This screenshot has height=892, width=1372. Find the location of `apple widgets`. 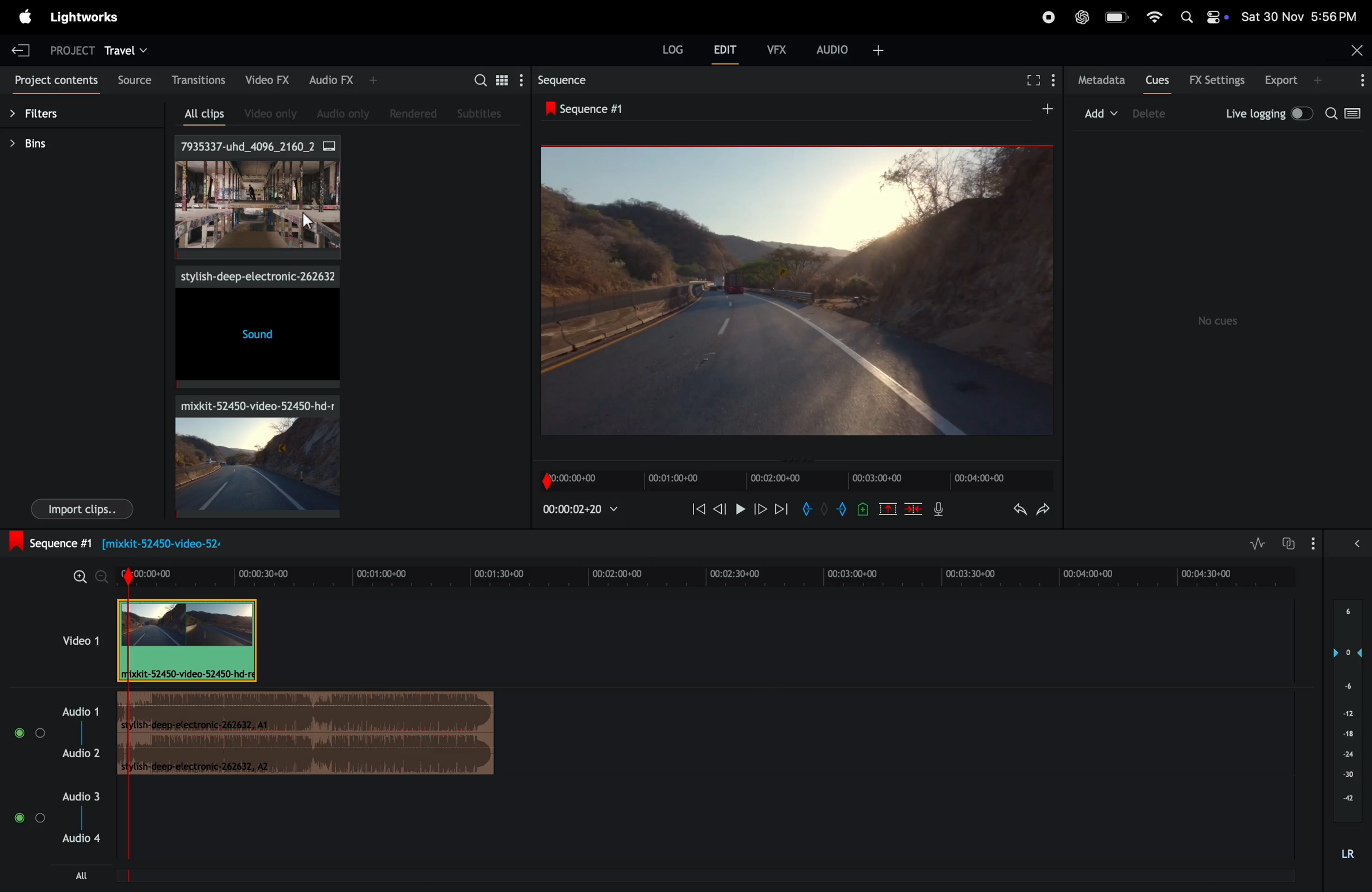

apple widgets is located at coordinates (1203, 17).